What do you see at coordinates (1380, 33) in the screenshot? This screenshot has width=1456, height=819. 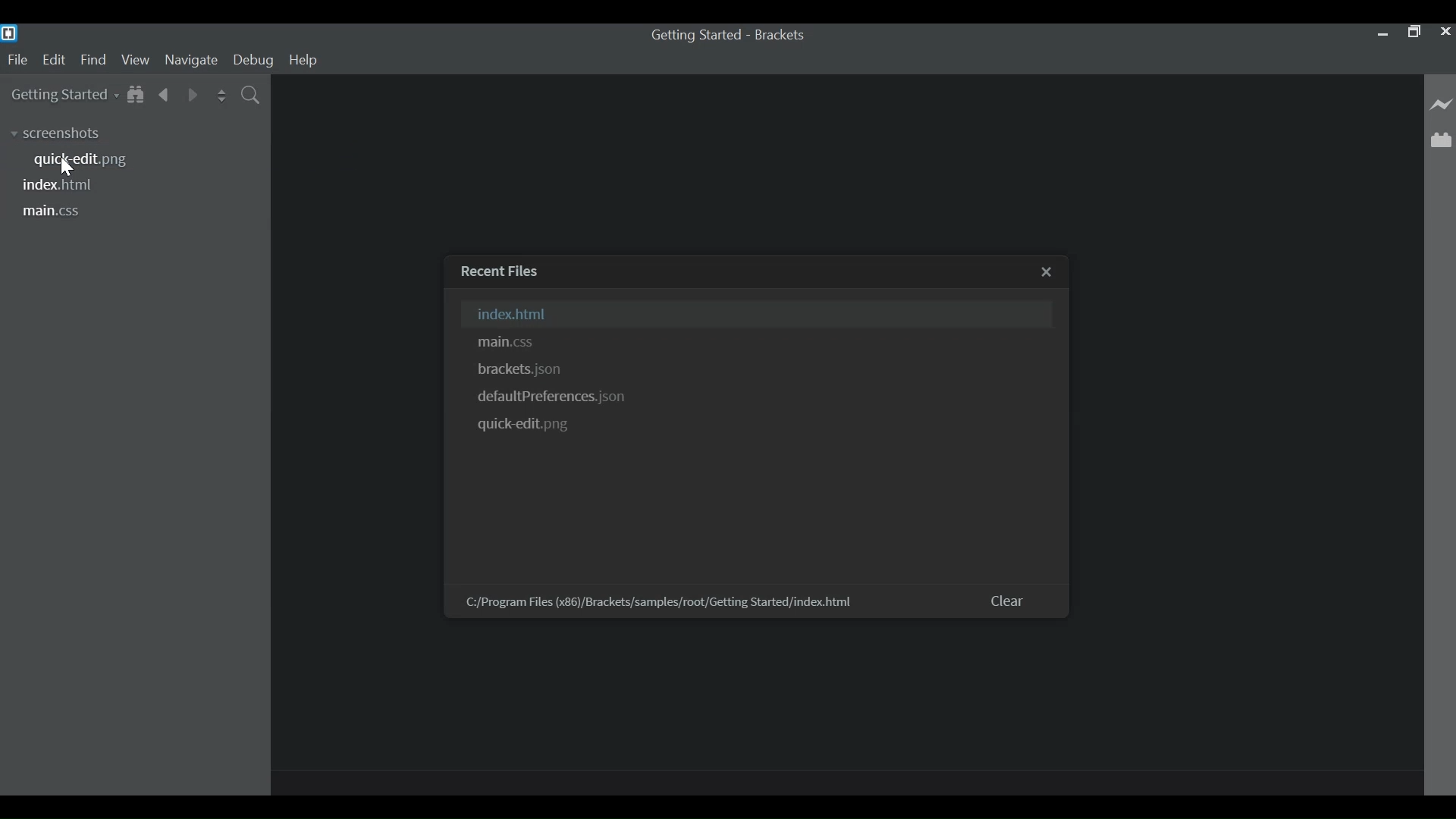 I see `minimize` at bounding box center [1380, 33].